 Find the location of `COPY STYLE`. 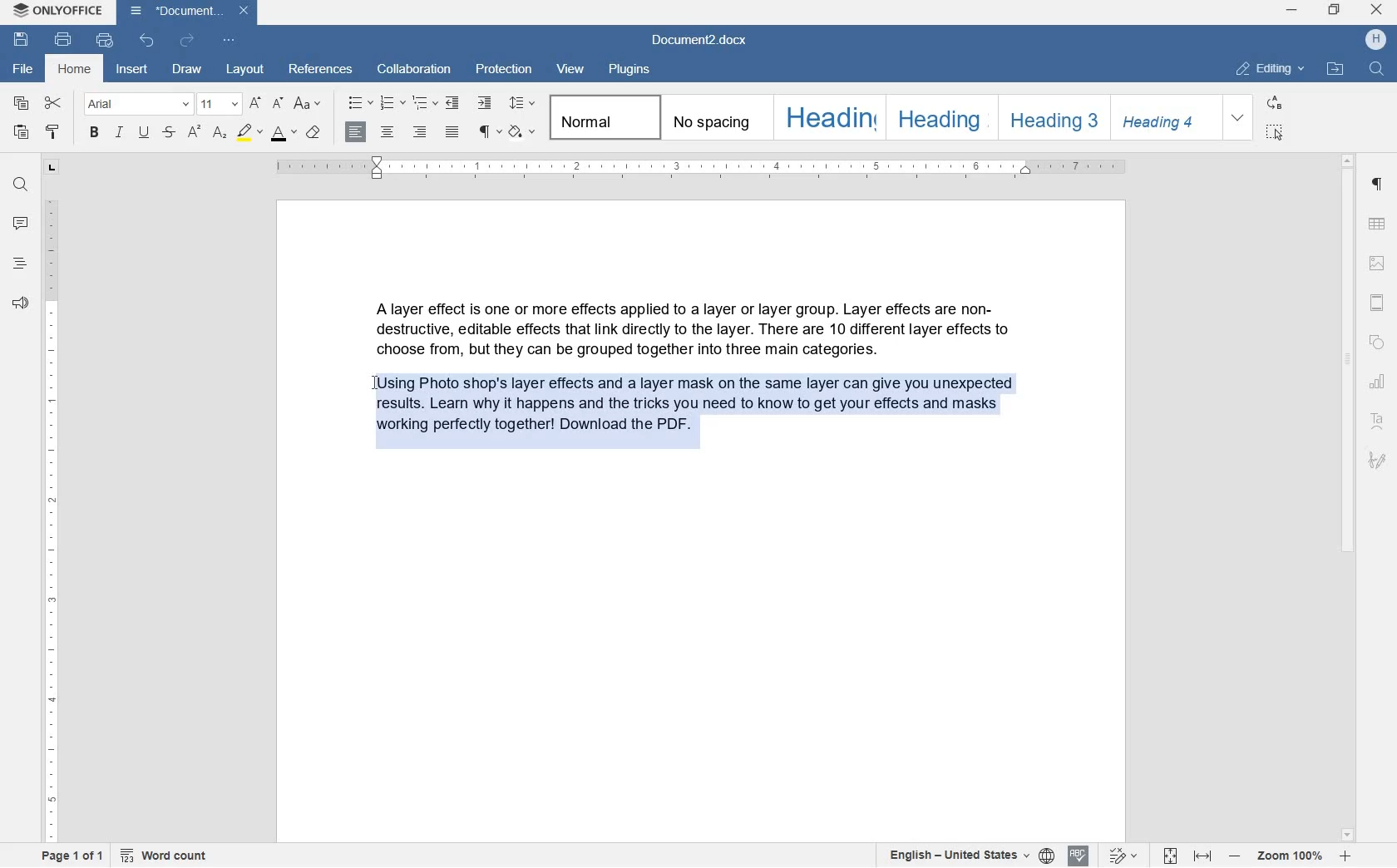

COPY STYLE is located at coordinates (55, 133).